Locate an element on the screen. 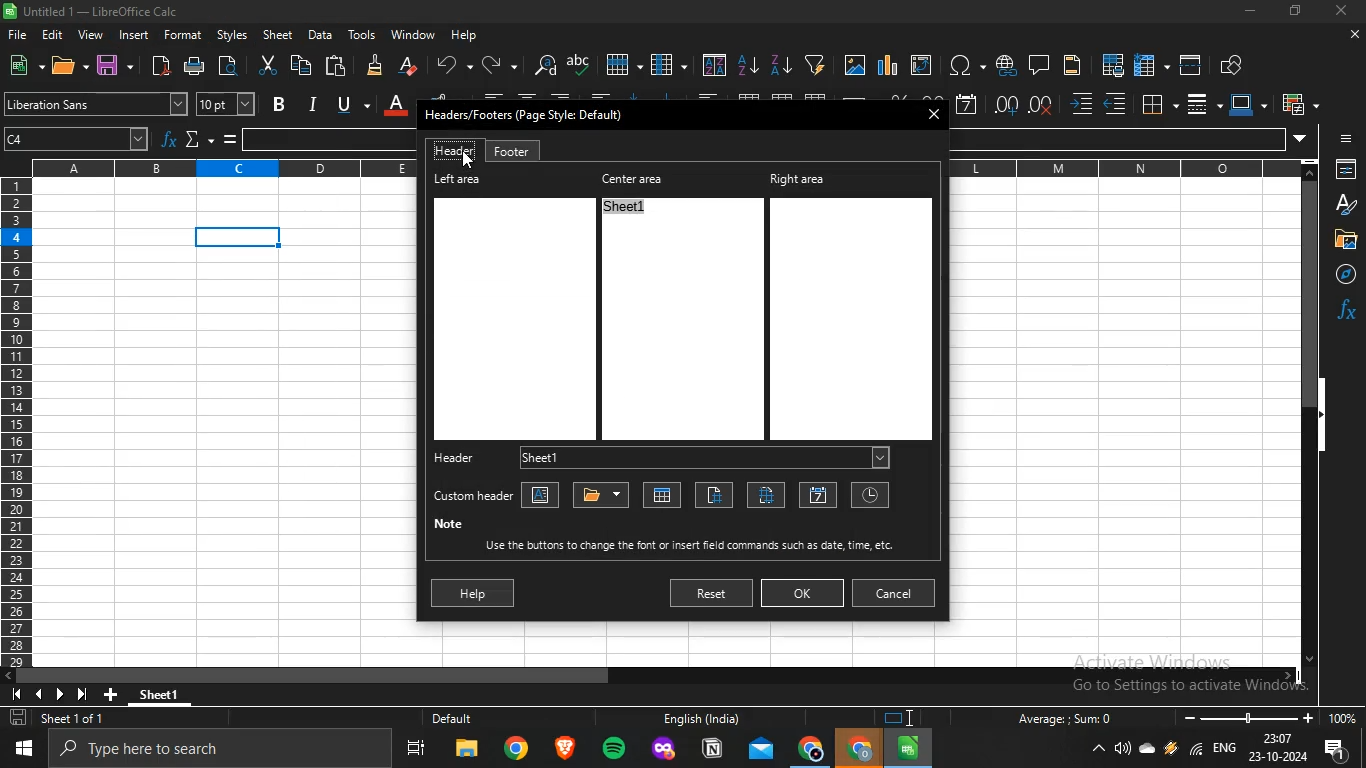  print is located at coordinates (197, 66).